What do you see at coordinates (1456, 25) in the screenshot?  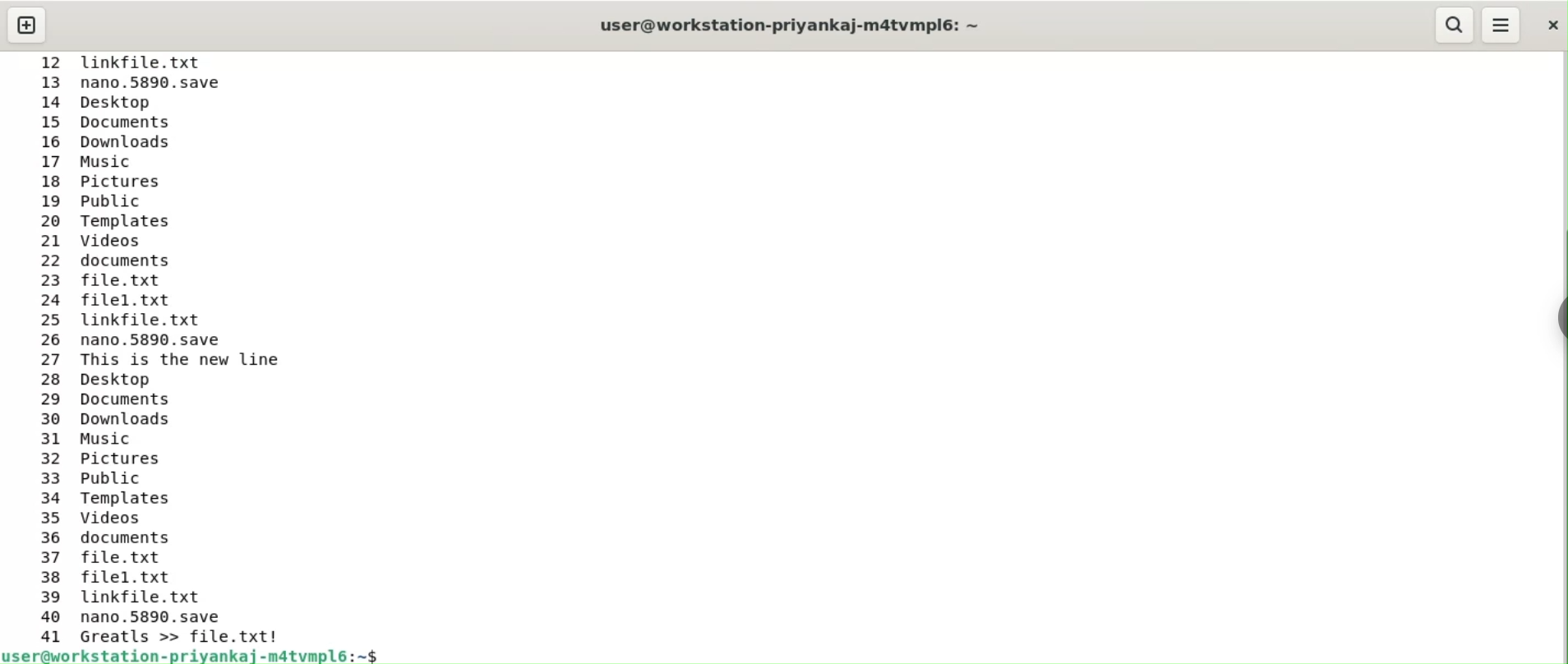 I see `search` at bounding box center [1456, 25].